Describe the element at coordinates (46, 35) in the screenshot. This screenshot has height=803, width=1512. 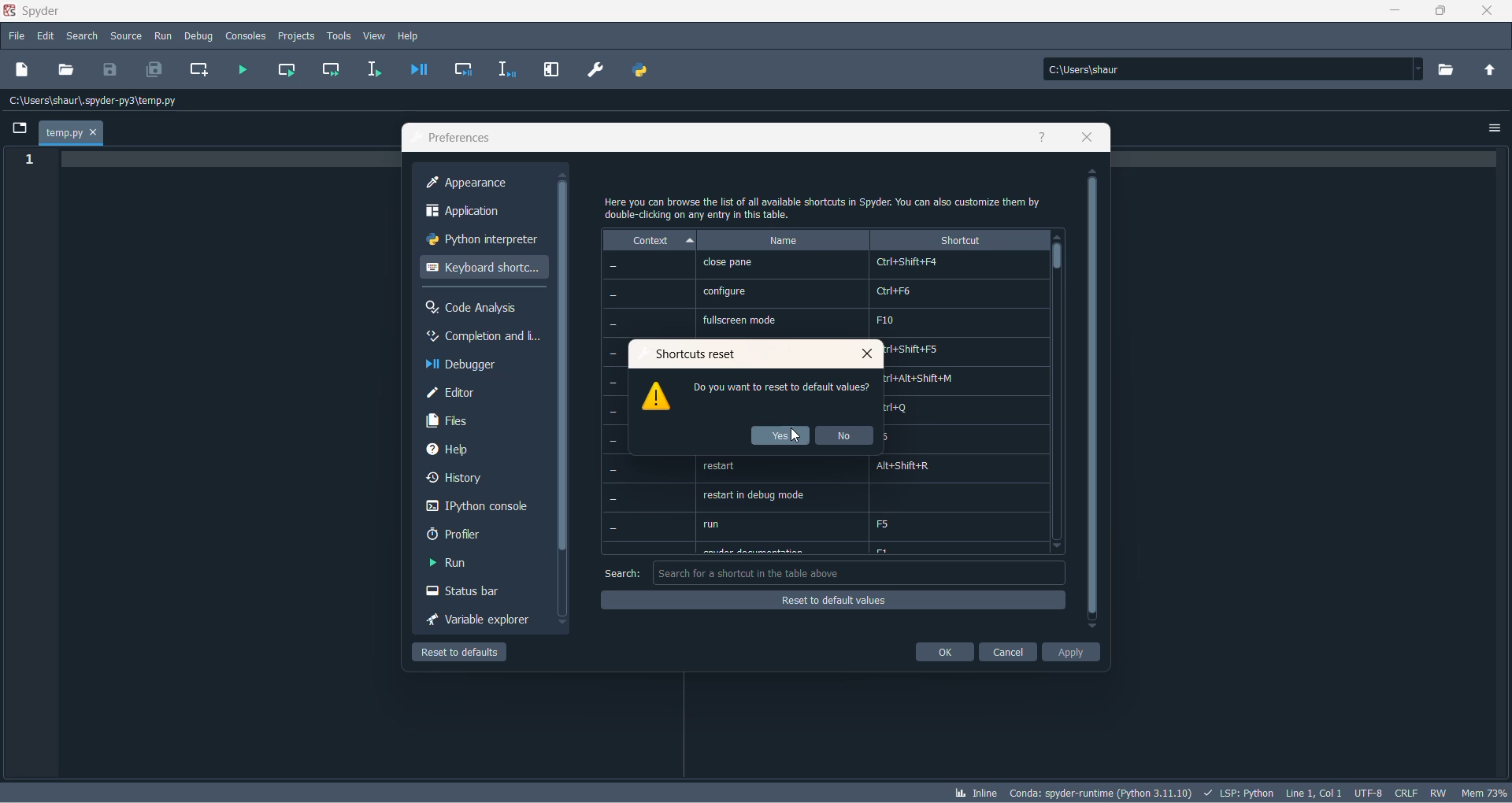
I see `edit` at that location.